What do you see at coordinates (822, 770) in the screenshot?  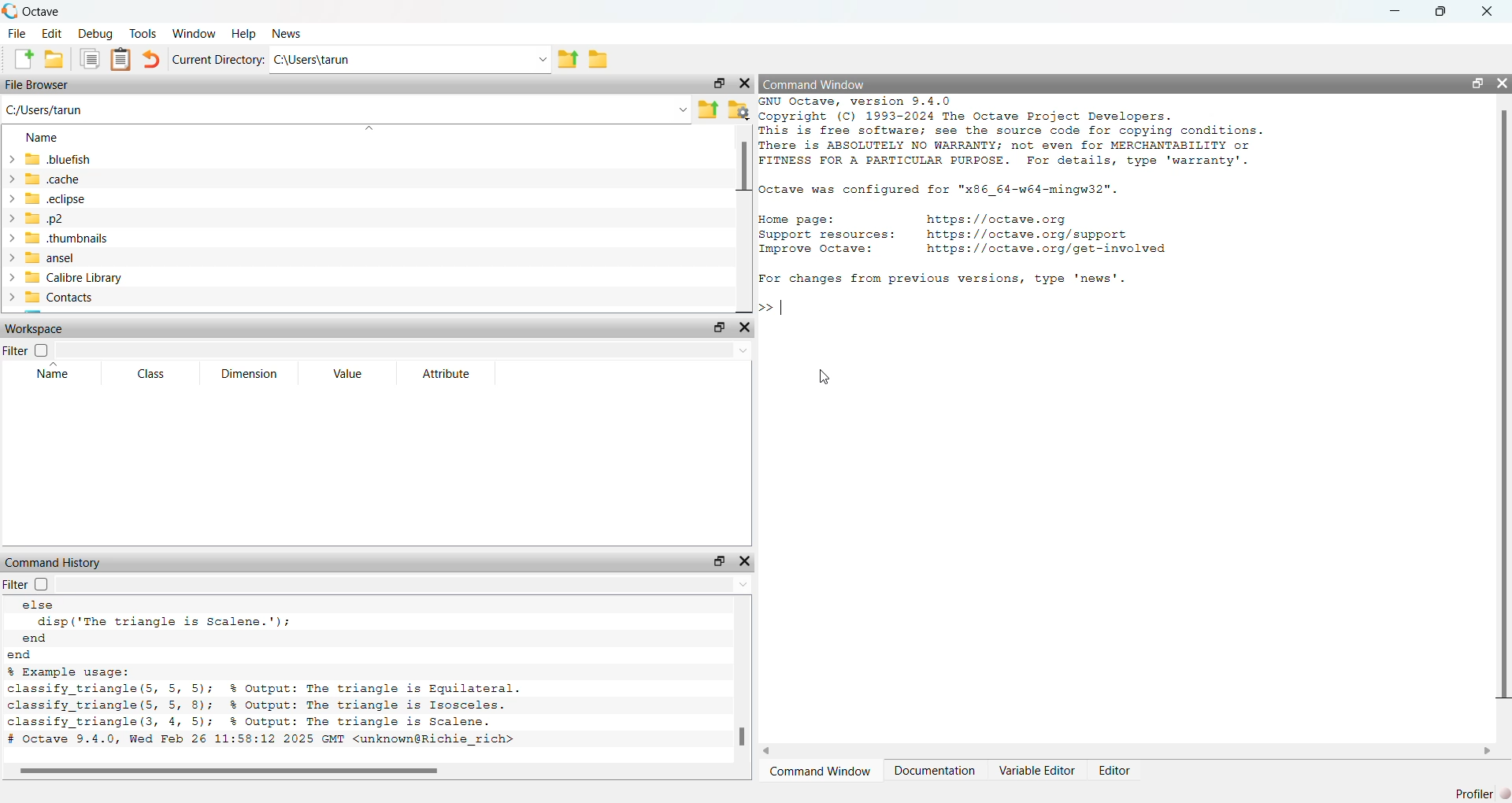 I see `command window` at bounding box center [822, 770].